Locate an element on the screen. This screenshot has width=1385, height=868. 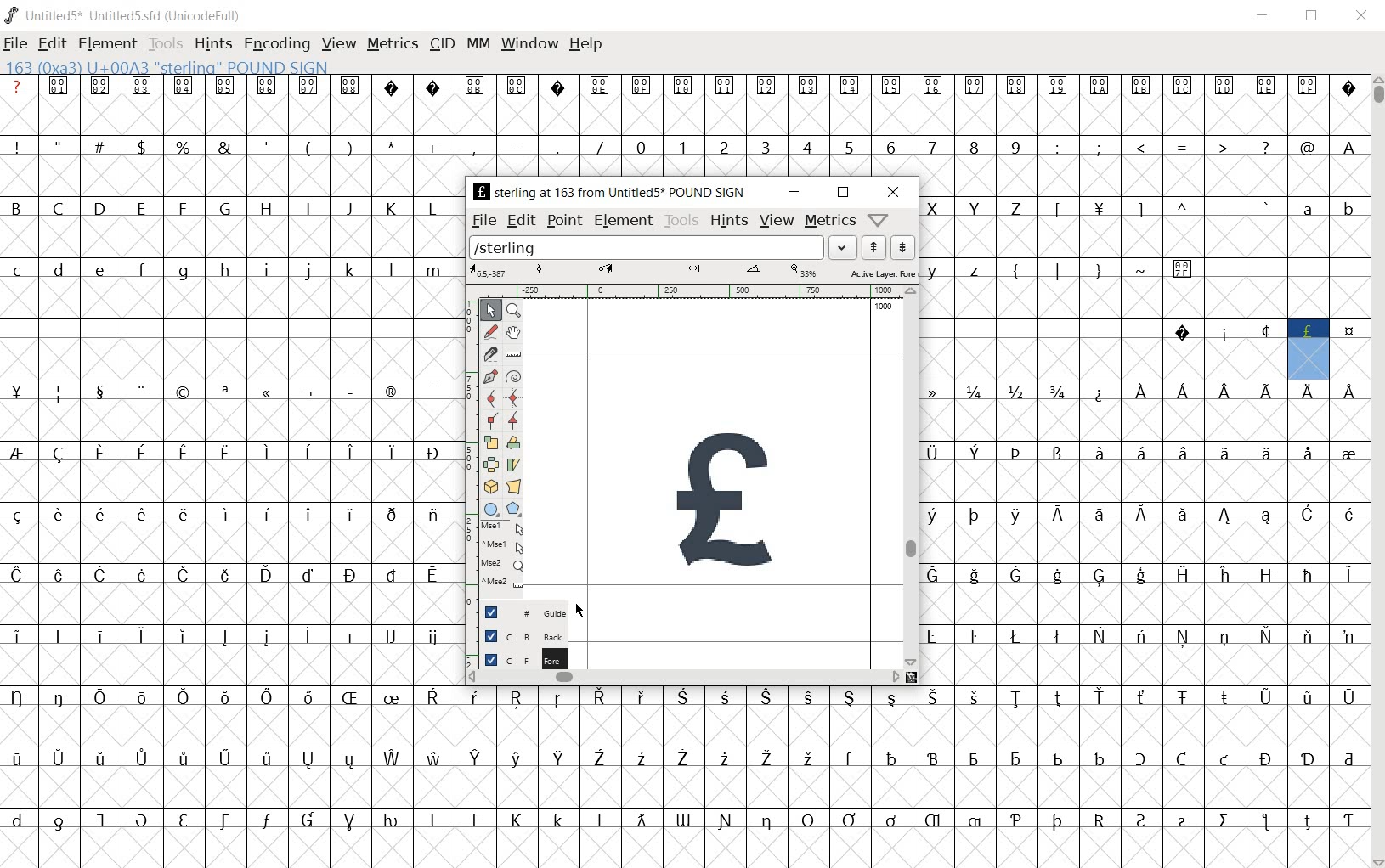
polygon/star is located at coordinates (518, 509).